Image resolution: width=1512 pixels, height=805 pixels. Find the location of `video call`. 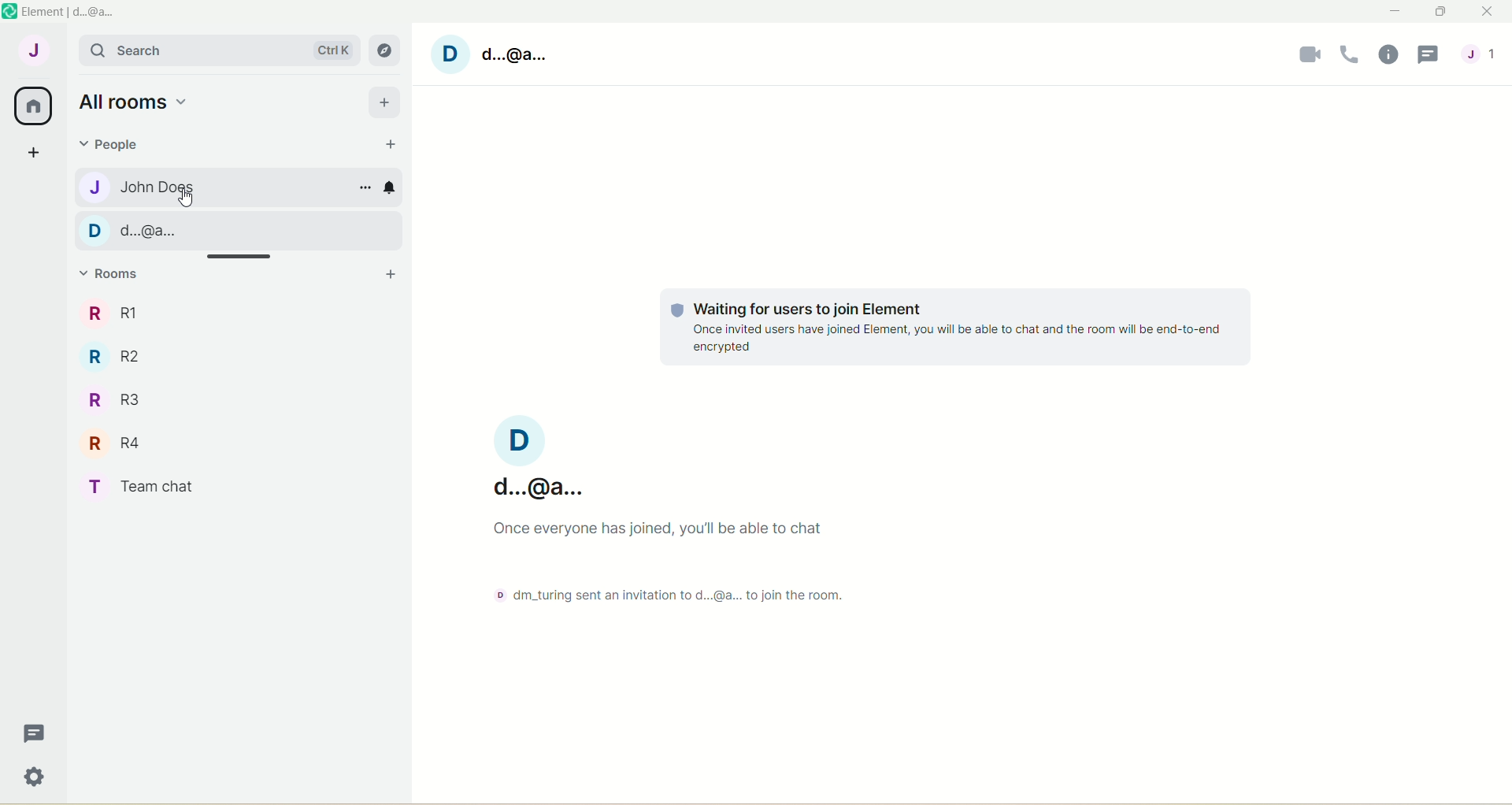

video call is located at coordinates (1311, 57).